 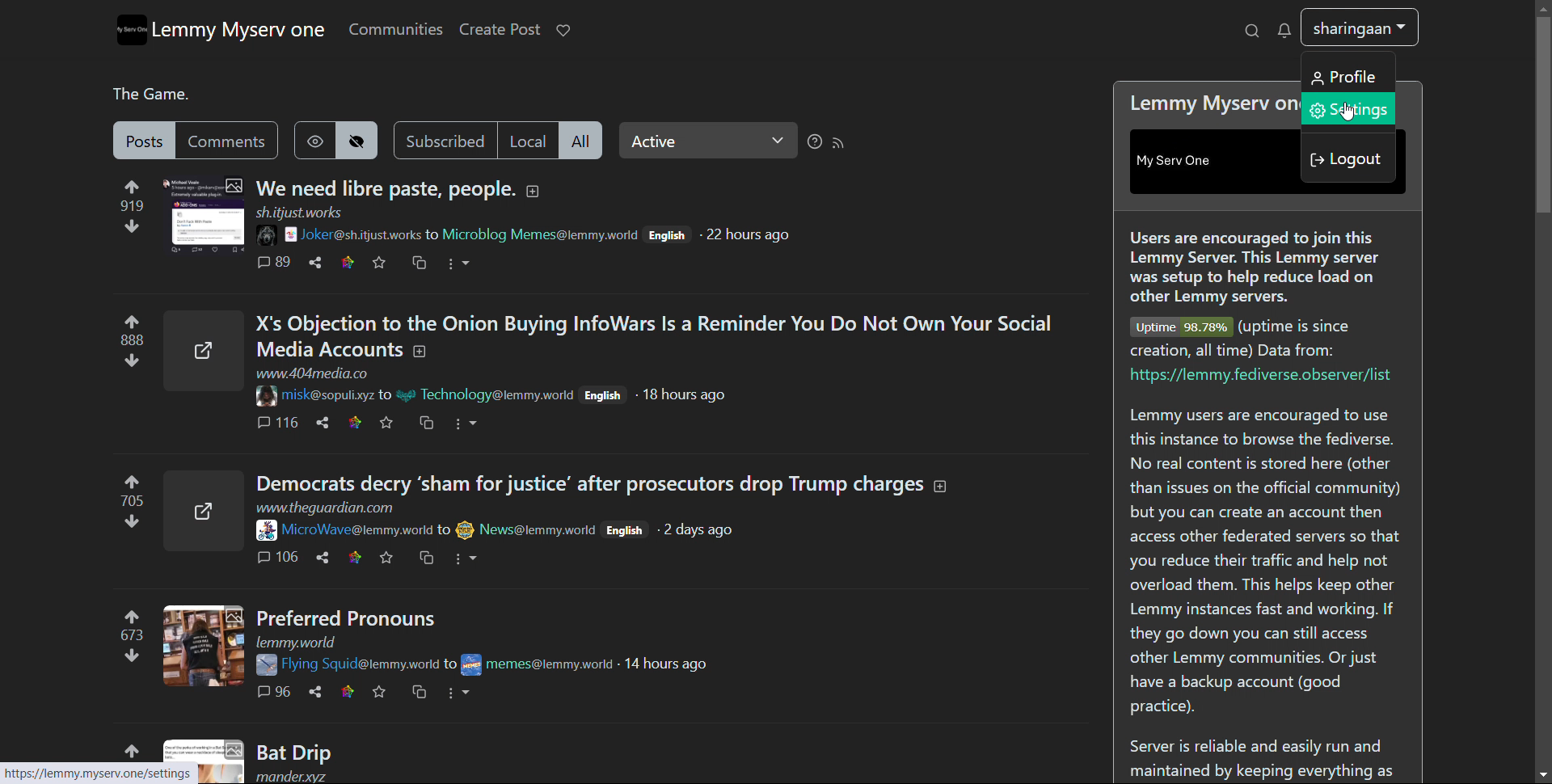 What do you see at coordinates (265, 531) in the screenshot?
I see `poster display picture` at bounding box center [265, 531].